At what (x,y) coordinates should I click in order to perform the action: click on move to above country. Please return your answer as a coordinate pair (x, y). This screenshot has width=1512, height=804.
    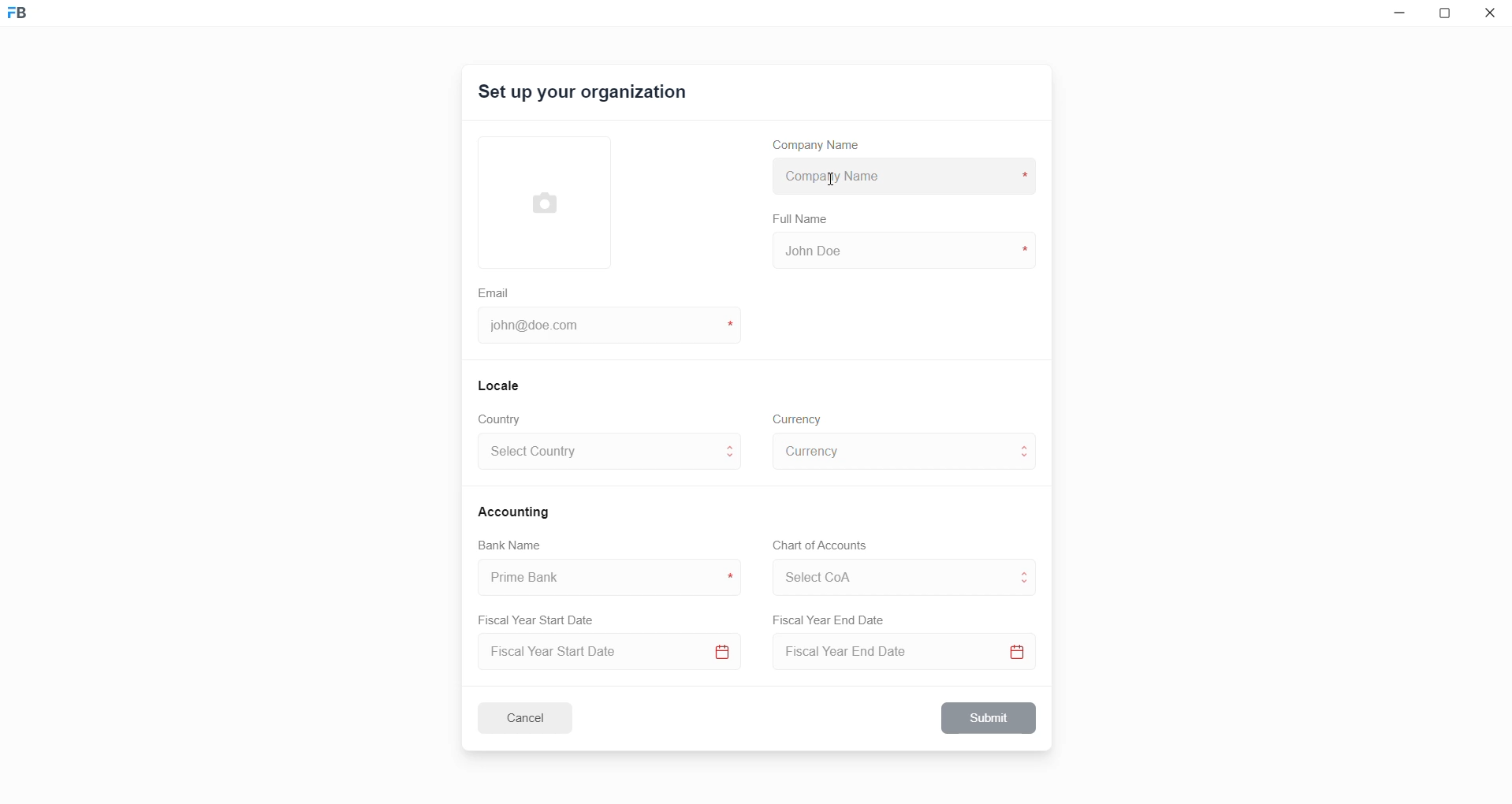
    Looking at the image, I should click on (733, 445).